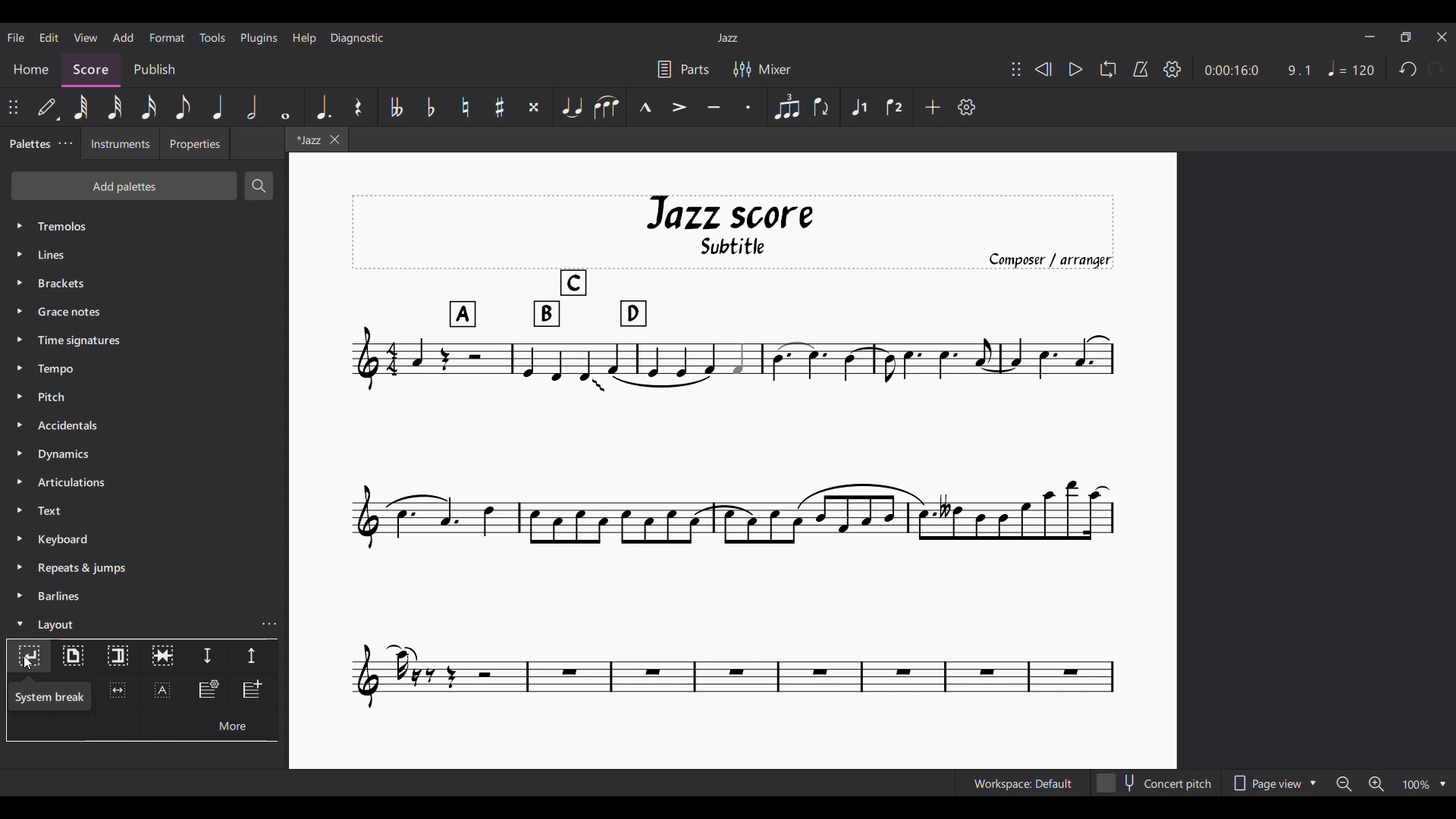  I want to click on Repeats and jumps, so click(144, 568).